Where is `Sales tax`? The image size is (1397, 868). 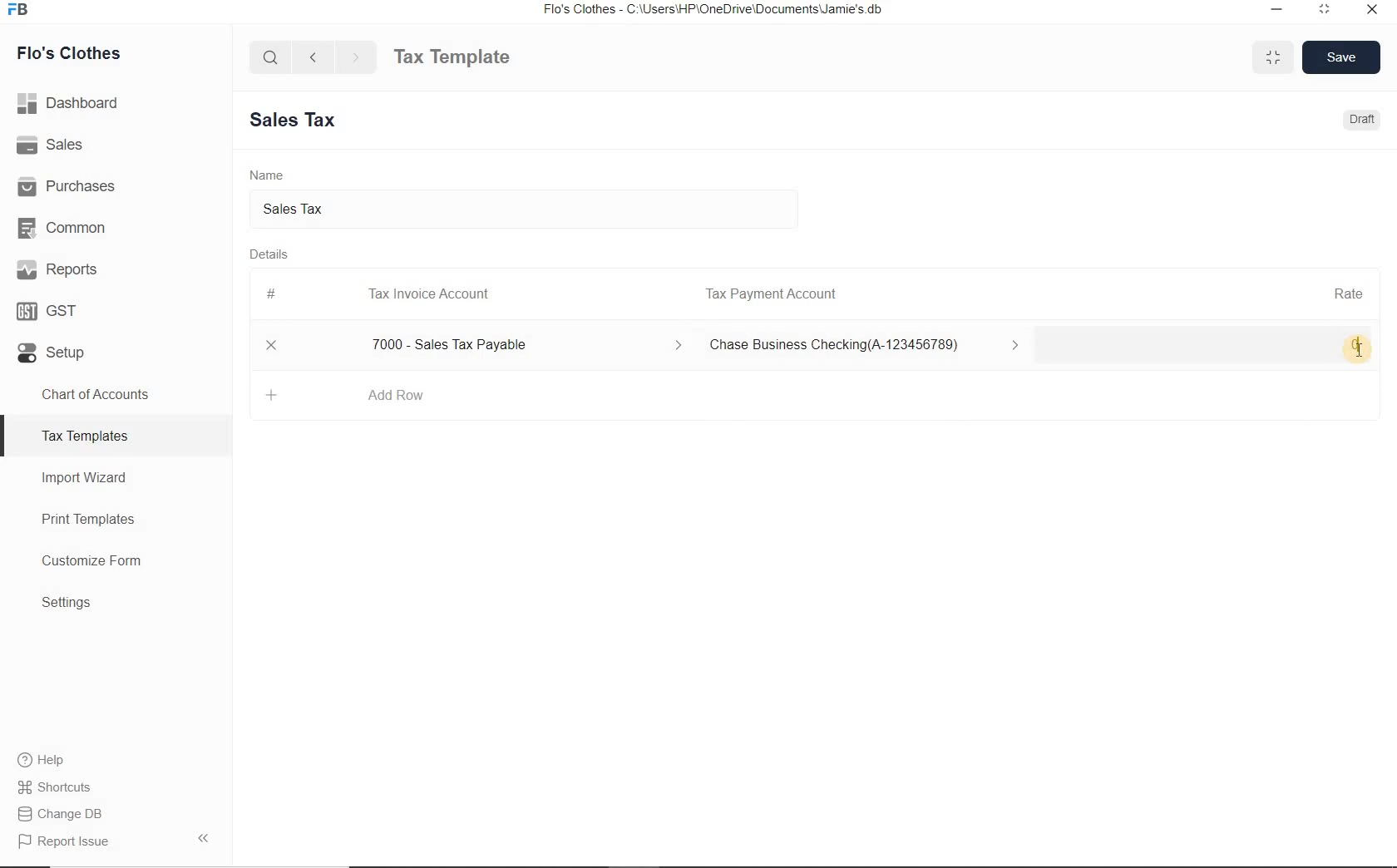
Sales tax is located at coordinates (525, 211).